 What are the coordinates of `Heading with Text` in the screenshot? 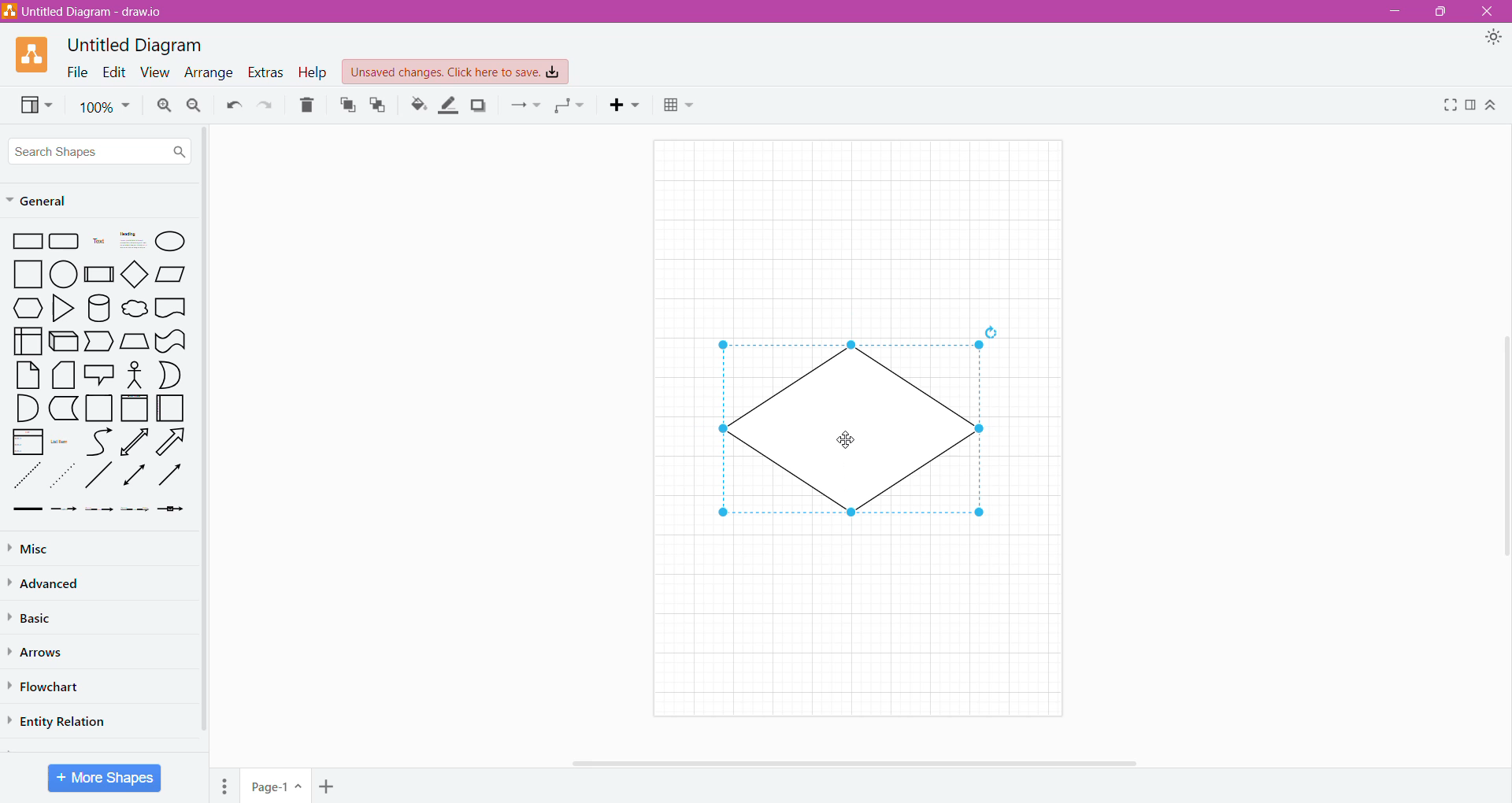 It's located at (134, 242).